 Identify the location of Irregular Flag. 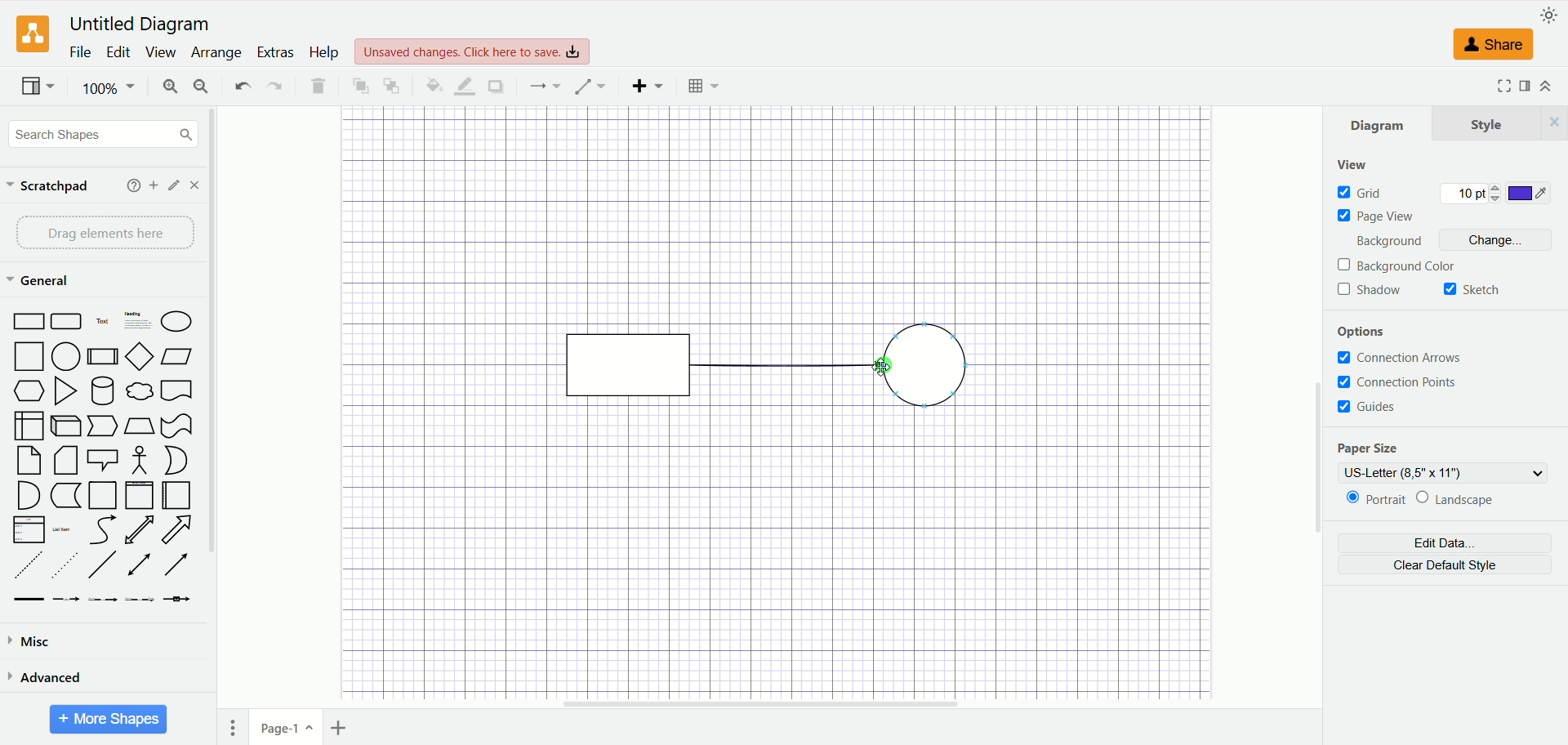
(177, 426).